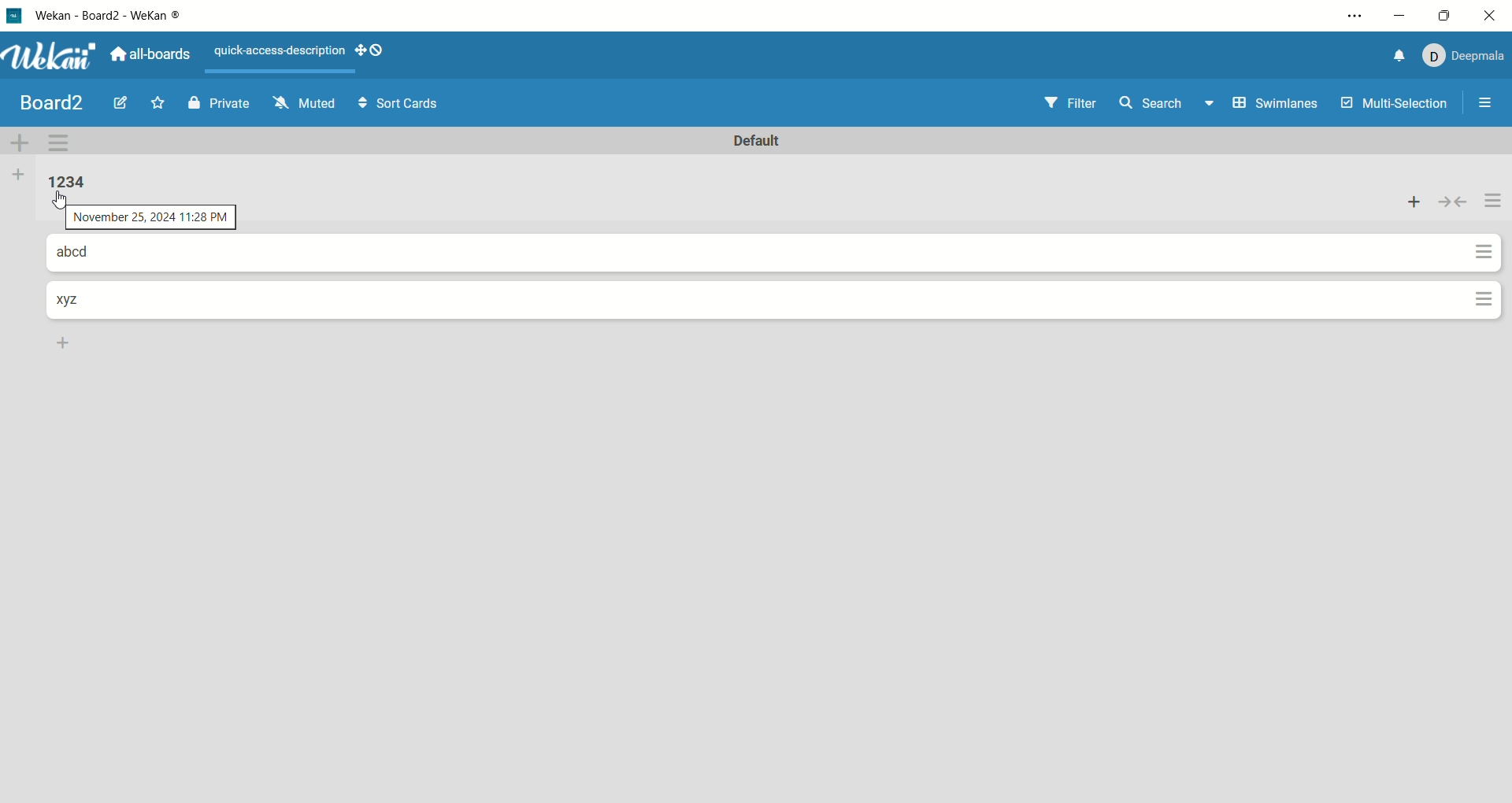 This screenshot has width=1512, height=803. Describe the element at coordinates (1401, 13) in the screenshot. I see `minimize` at that location.